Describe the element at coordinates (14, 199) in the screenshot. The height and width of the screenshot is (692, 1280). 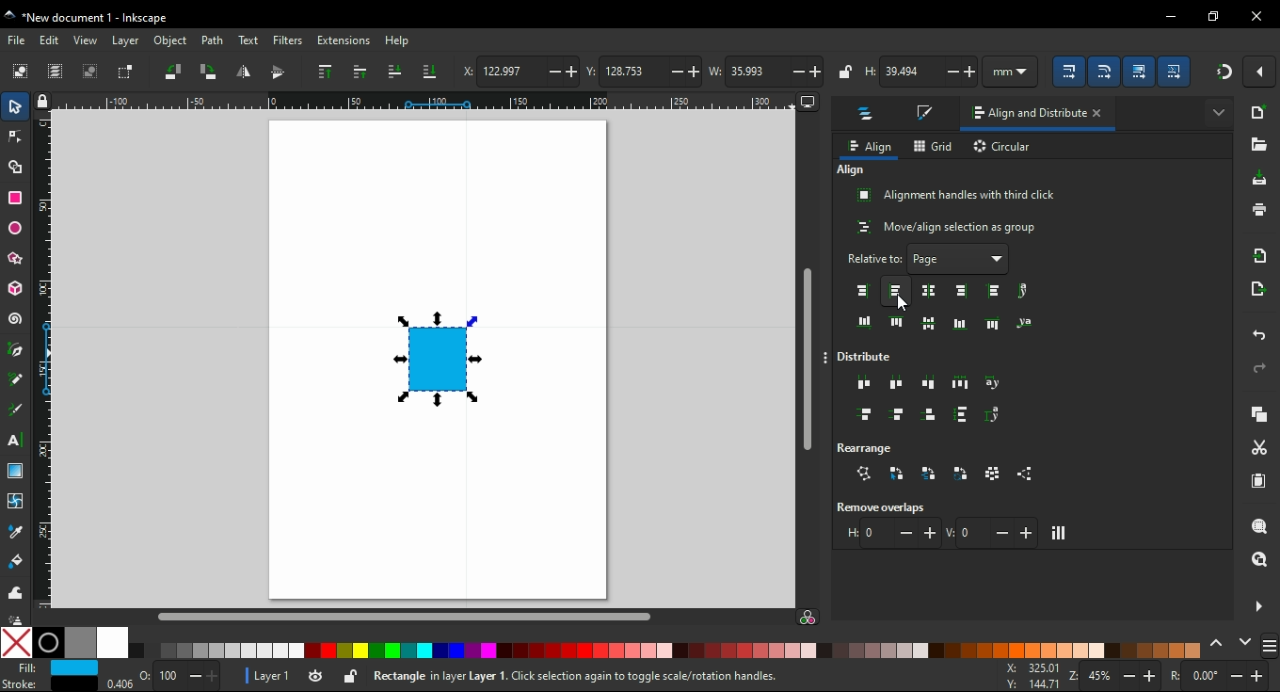
I see `rectangle tool` at that location.